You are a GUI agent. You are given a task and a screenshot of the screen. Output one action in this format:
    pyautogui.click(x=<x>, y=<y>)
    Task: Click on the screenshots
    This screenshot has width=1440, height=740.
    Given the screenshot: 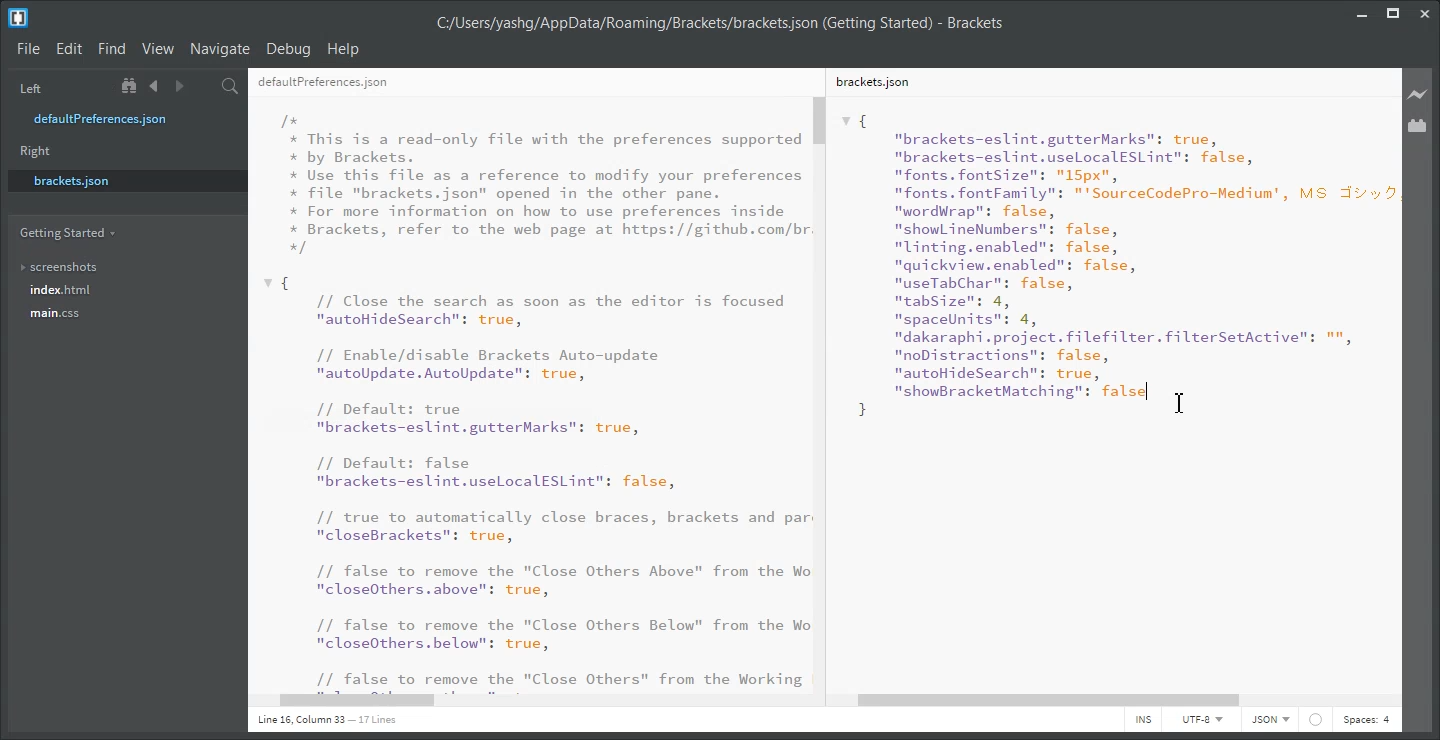 What is the action you would take?
    pyautogui.click(x=60, y=263)
    